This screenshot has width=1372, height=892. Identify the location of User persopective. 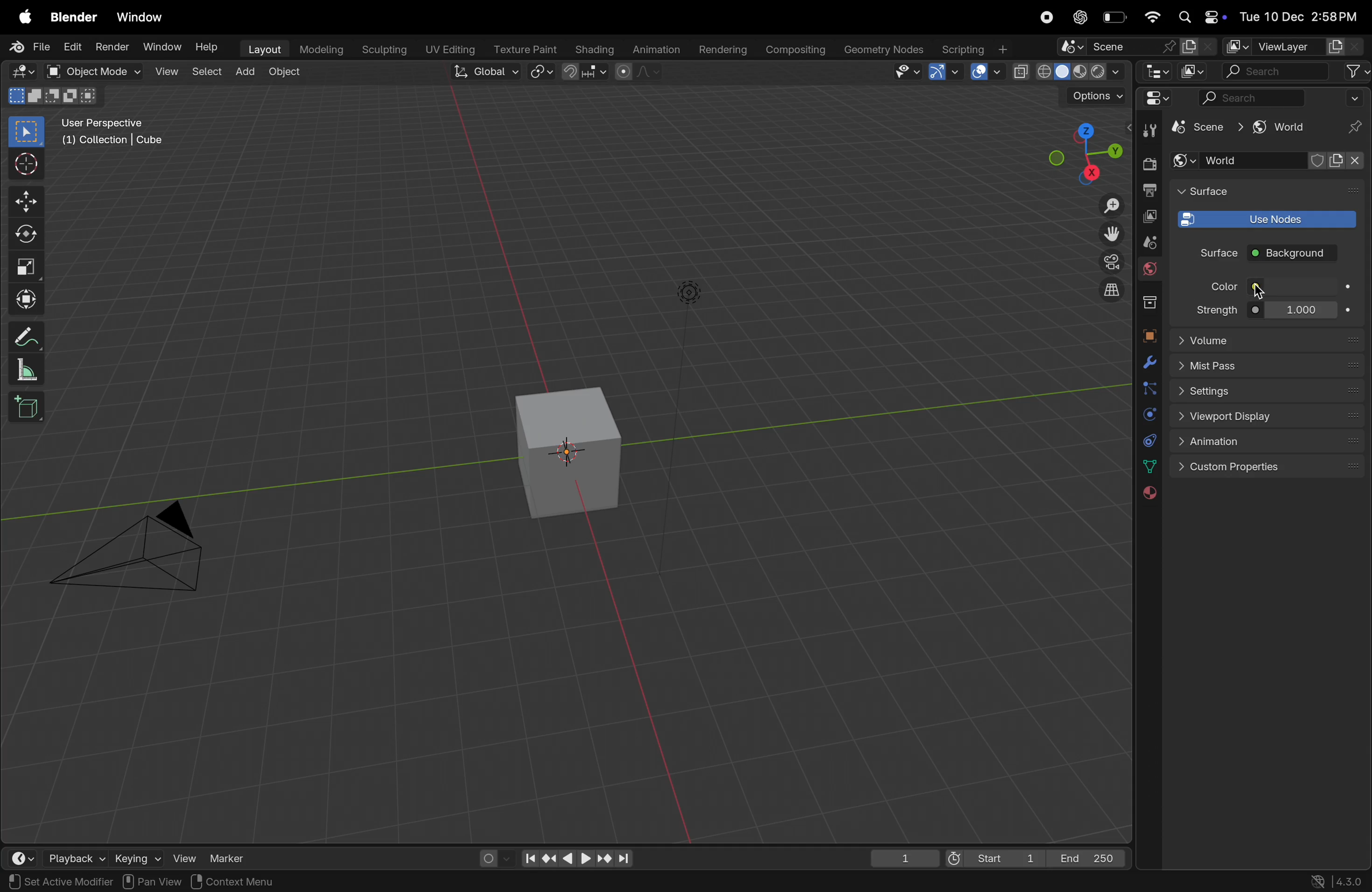
(115, 139).